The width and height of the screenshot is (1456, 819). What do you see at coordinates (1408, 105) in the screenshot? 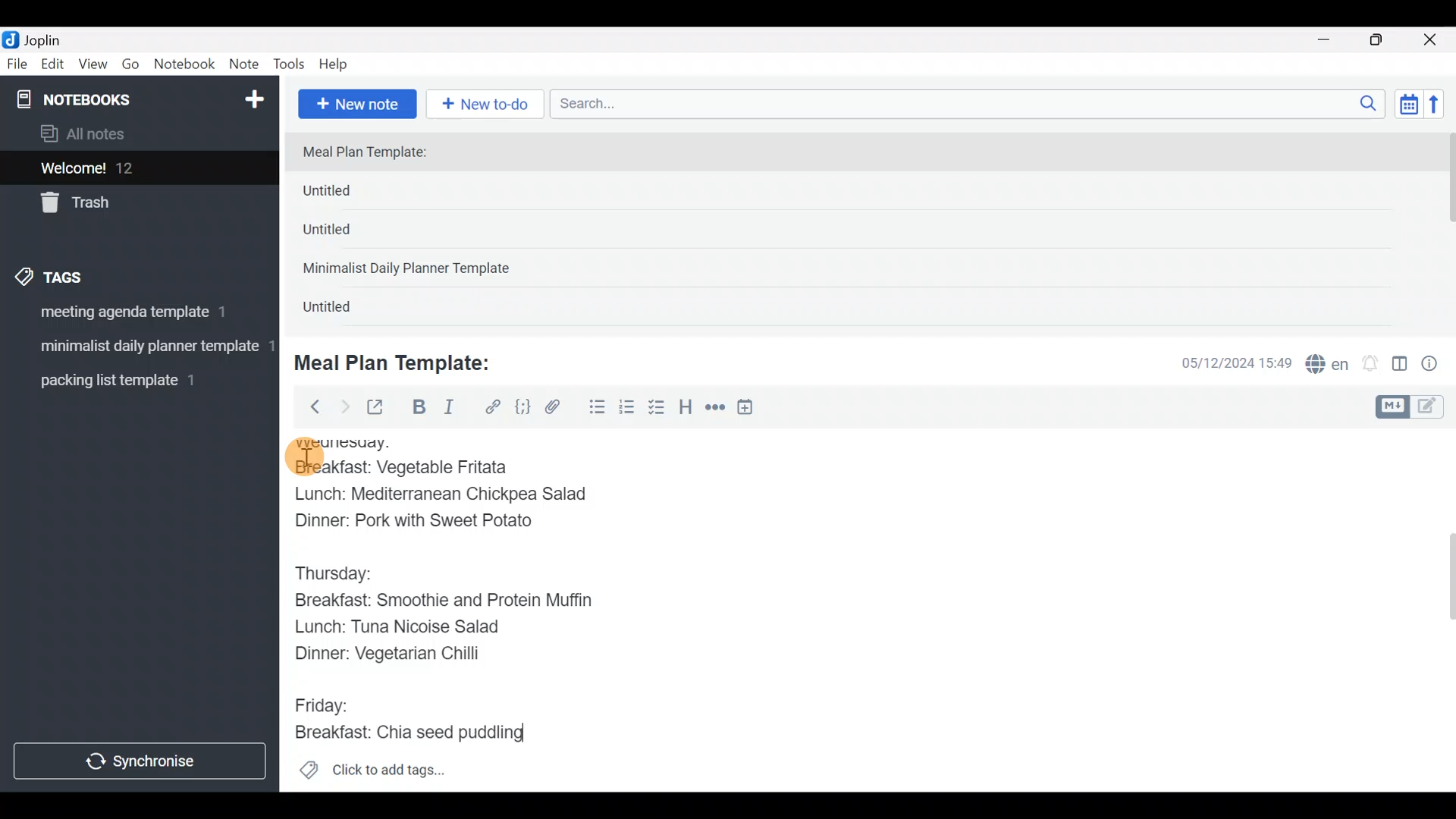
I see `Toggle sort order` at bounding box center [1408, 105].